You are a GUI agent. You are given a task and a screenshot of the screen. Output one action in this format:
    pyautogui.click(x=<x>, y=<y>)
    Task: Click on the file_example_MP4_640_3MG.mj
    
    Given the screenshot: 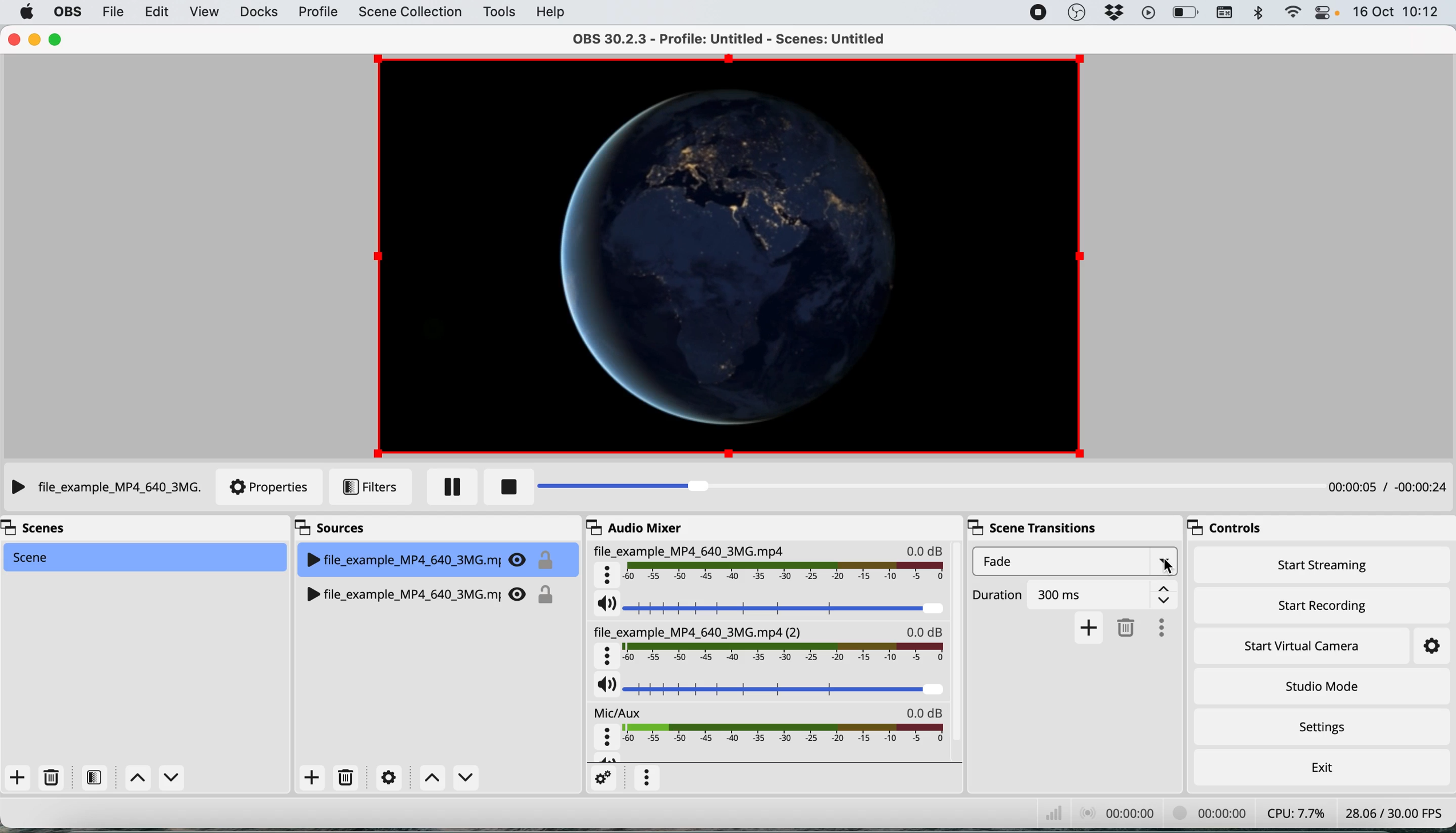 What is the action you would take?
    pyautogui.click(x=435, y=601)
    